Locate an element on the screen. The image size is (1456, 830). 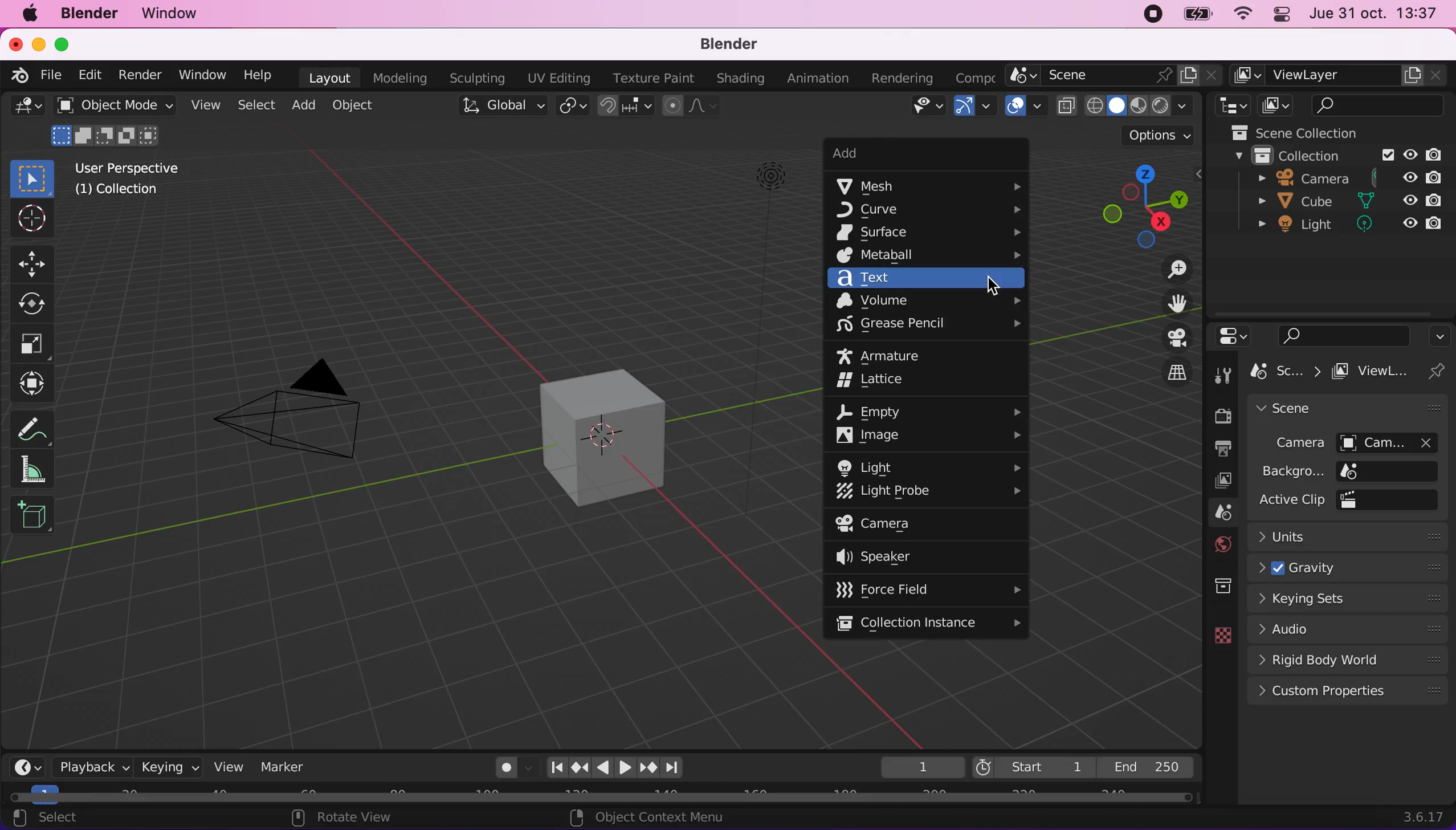
uv editing is located at coordinates (556, 79).